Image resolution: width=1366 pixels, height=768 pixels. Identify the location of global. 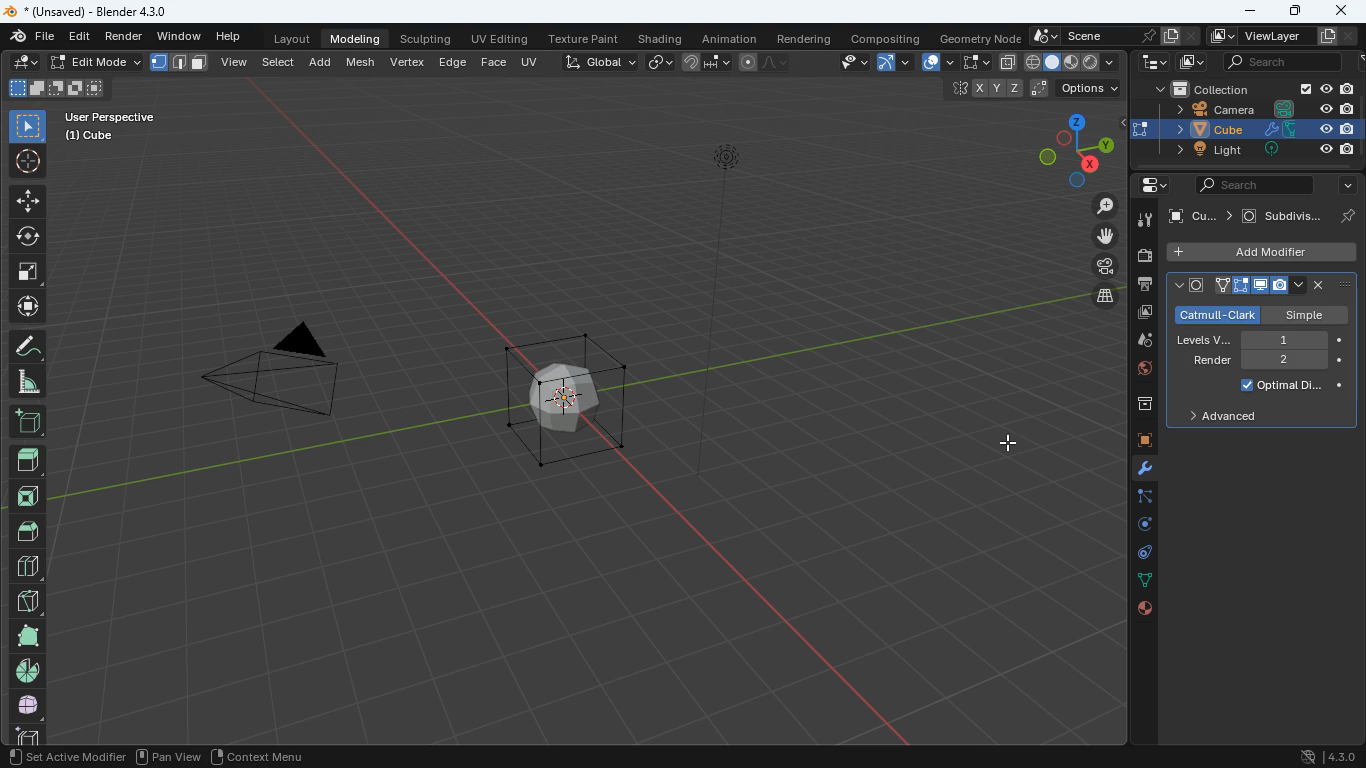
(592, 63).